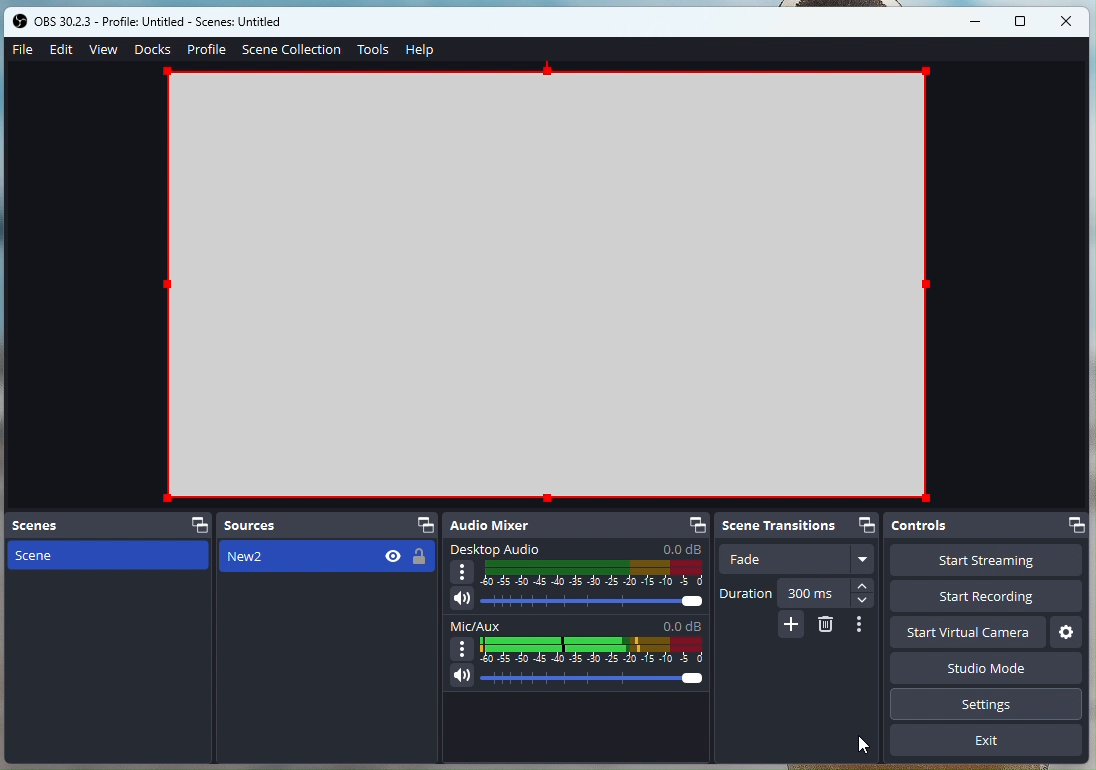 The image size is (1096, 770). I want to click on increase, so click(862, 584).